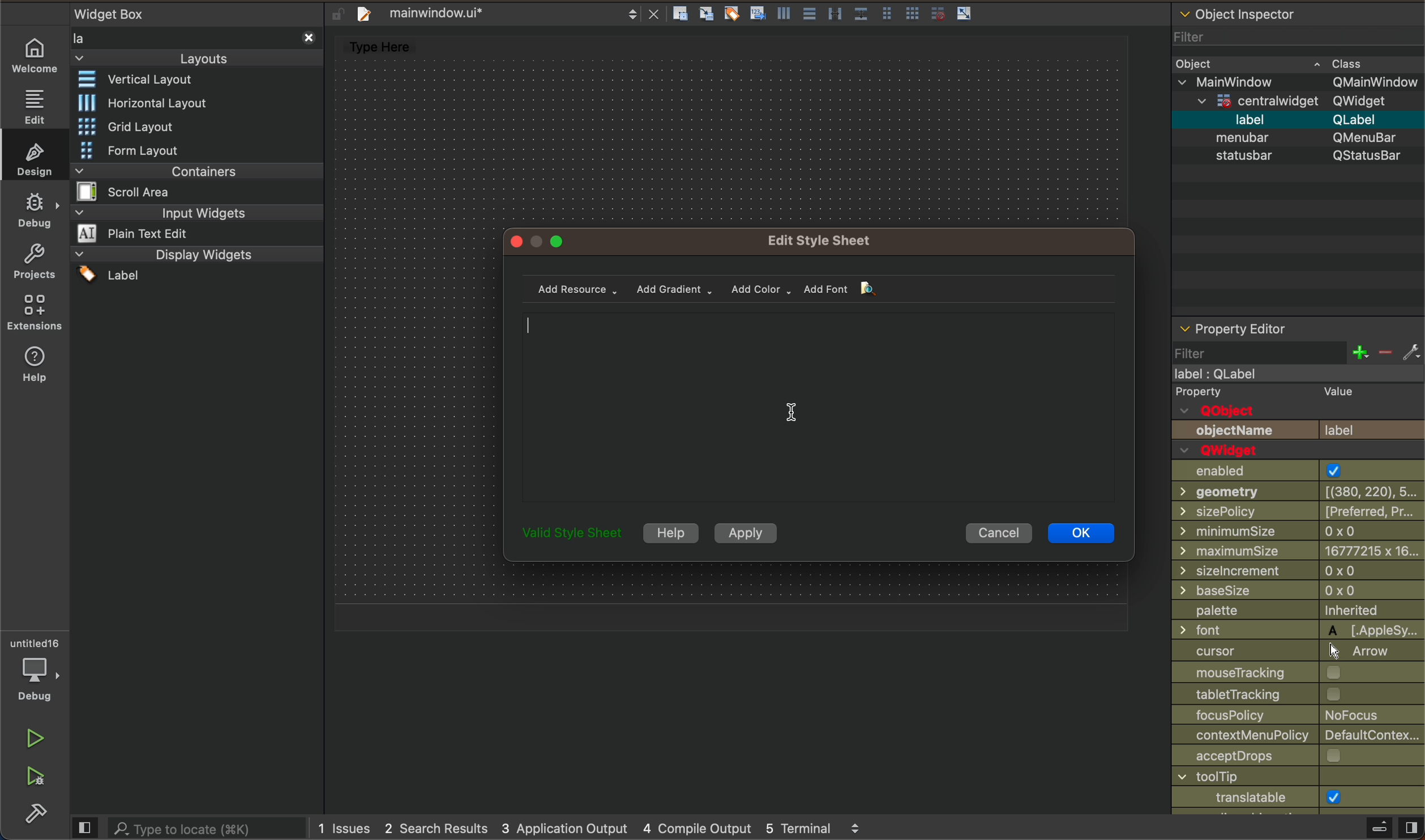 The image size is (1425, 840). Describe the element at coordinates (696, 828) in the screenshot. I see `compile output` at that location.